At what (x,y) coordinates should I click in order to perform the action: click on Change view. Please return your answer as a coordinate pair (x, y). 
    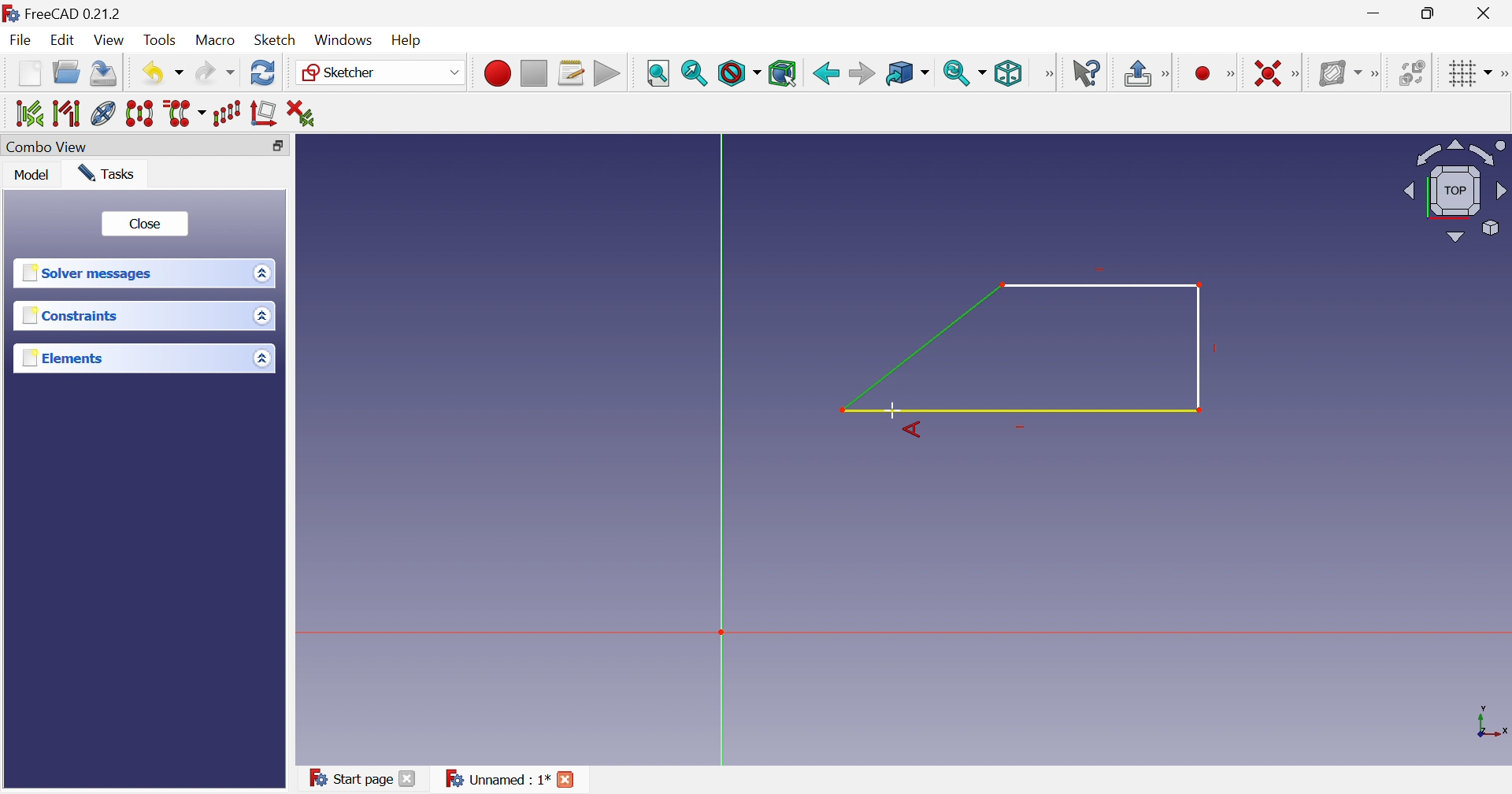
    Looking at the image, I should click on (277, 146).